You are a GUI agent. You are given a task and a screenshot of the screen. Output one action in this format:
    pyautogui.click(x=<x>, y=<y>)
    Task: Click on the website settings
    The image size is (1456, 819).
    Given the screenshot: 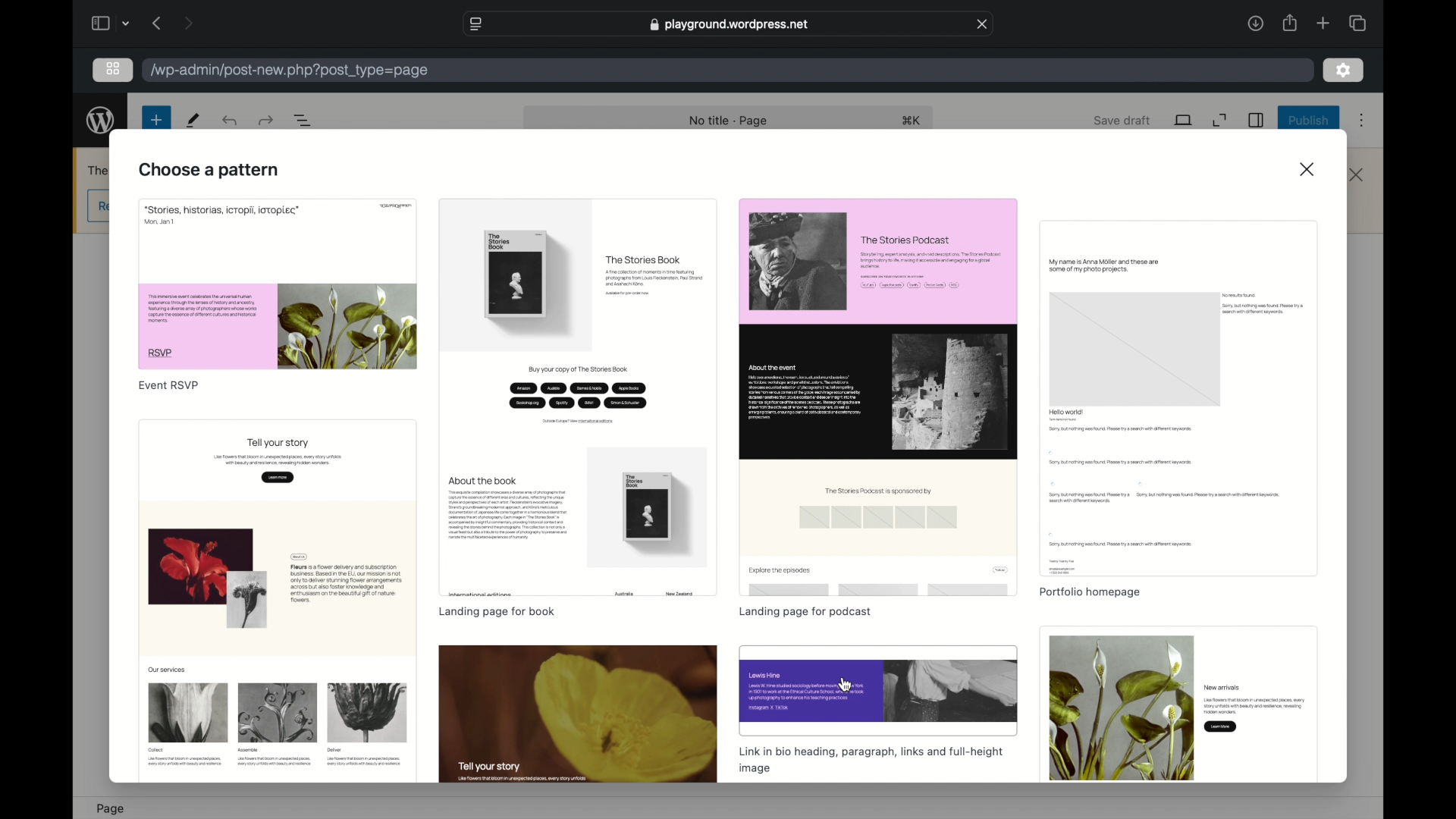 What is the action you would take?
    pyautogui.click(x=475, y=24)
    